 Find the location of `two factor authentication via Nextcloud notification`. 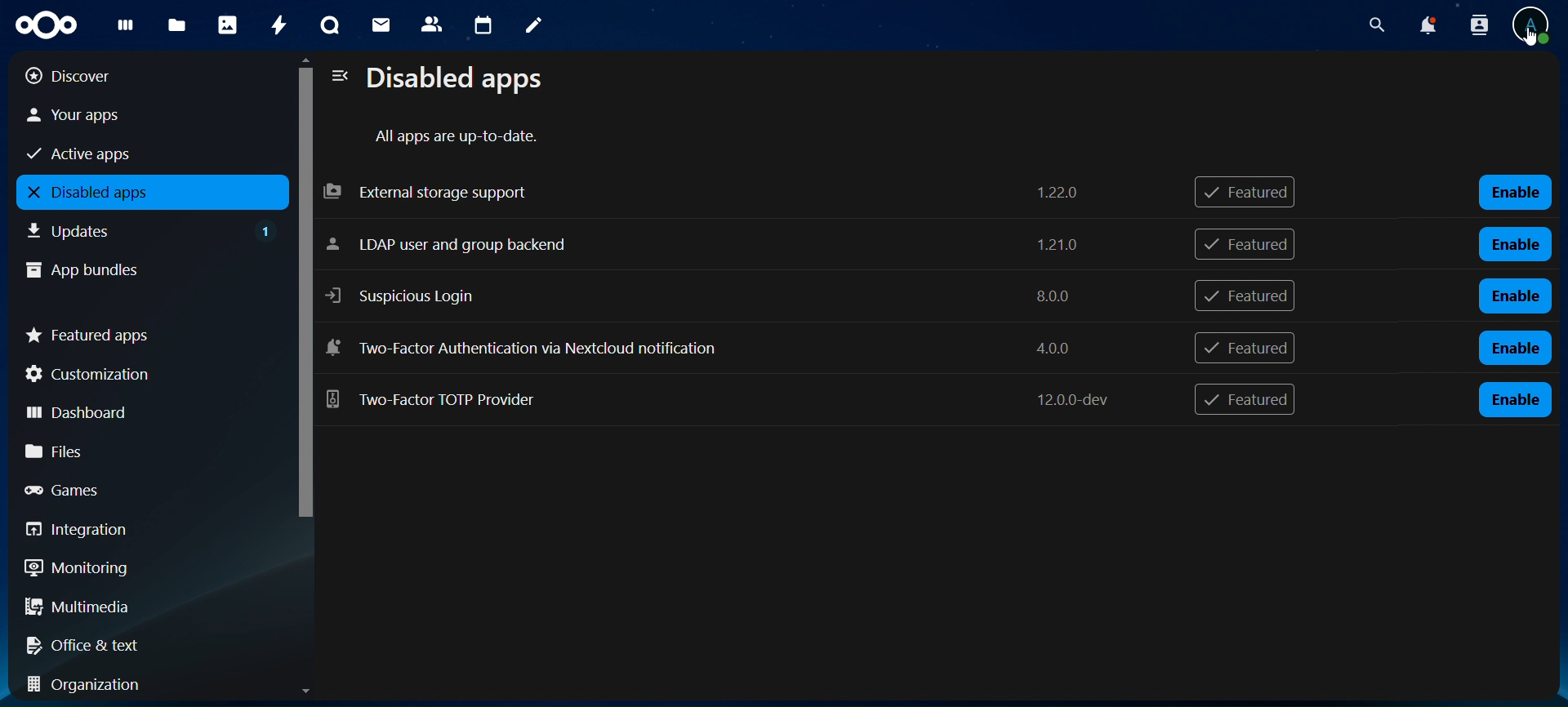

two factor authentication via Nextcloud notification is located at coordinates (719, 398).